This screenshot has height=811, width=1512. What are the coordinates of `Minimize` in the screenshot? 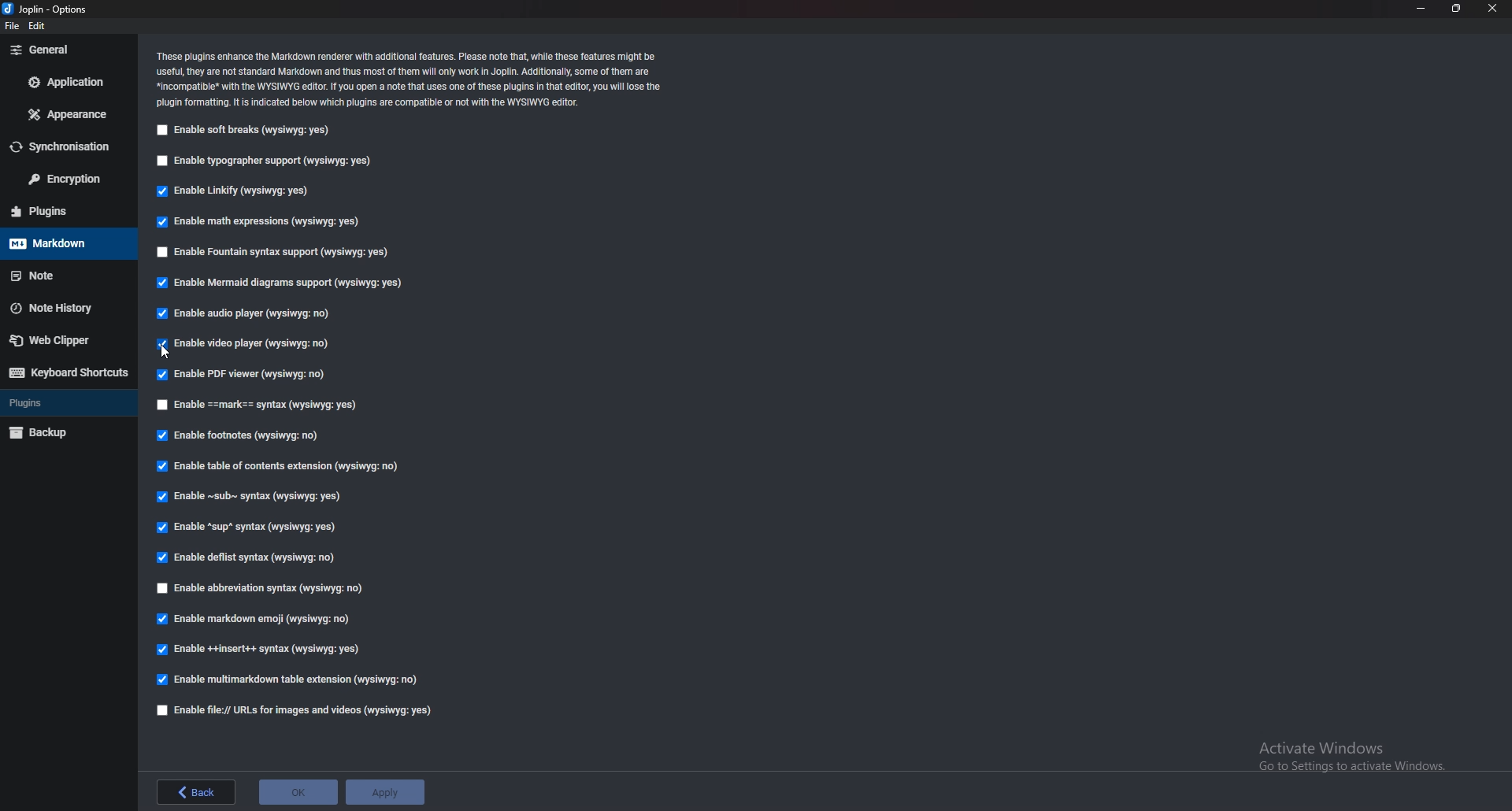 It's located at (1423, 9).